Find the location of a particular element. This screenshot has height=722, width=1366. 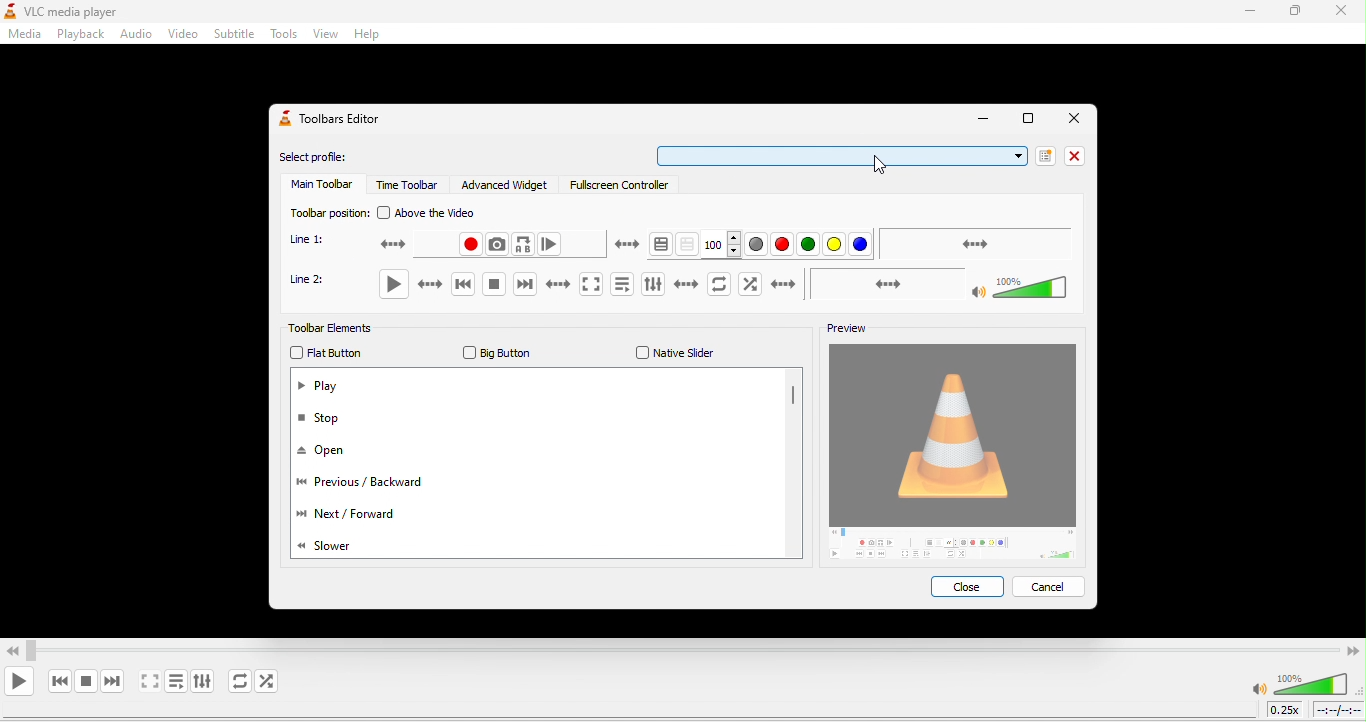

click to toggle between loop all is located at coordinates (720, 285).